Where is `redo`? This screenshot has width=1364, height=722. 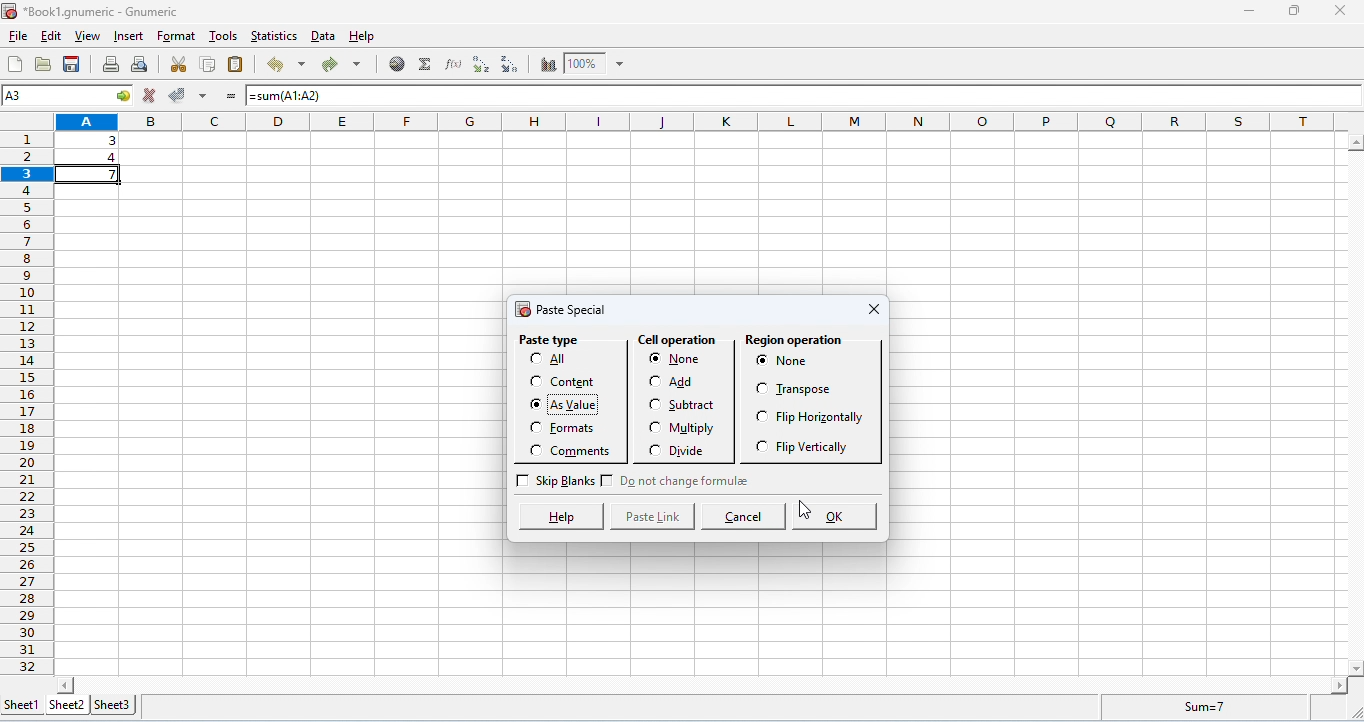
redo is located at coordinates (338, 65).